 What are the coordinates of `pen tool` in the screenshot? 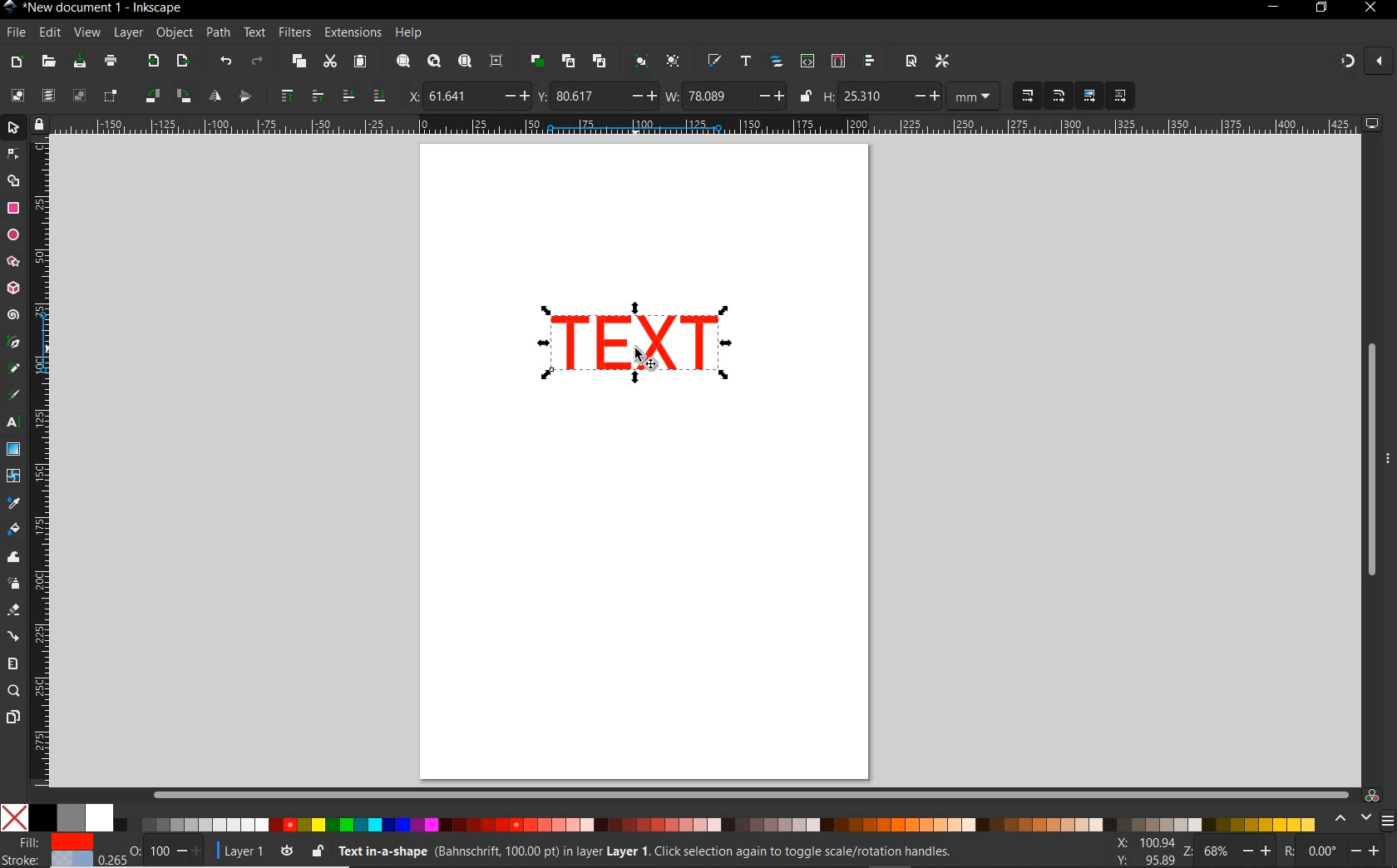 It's located at (12, 343).